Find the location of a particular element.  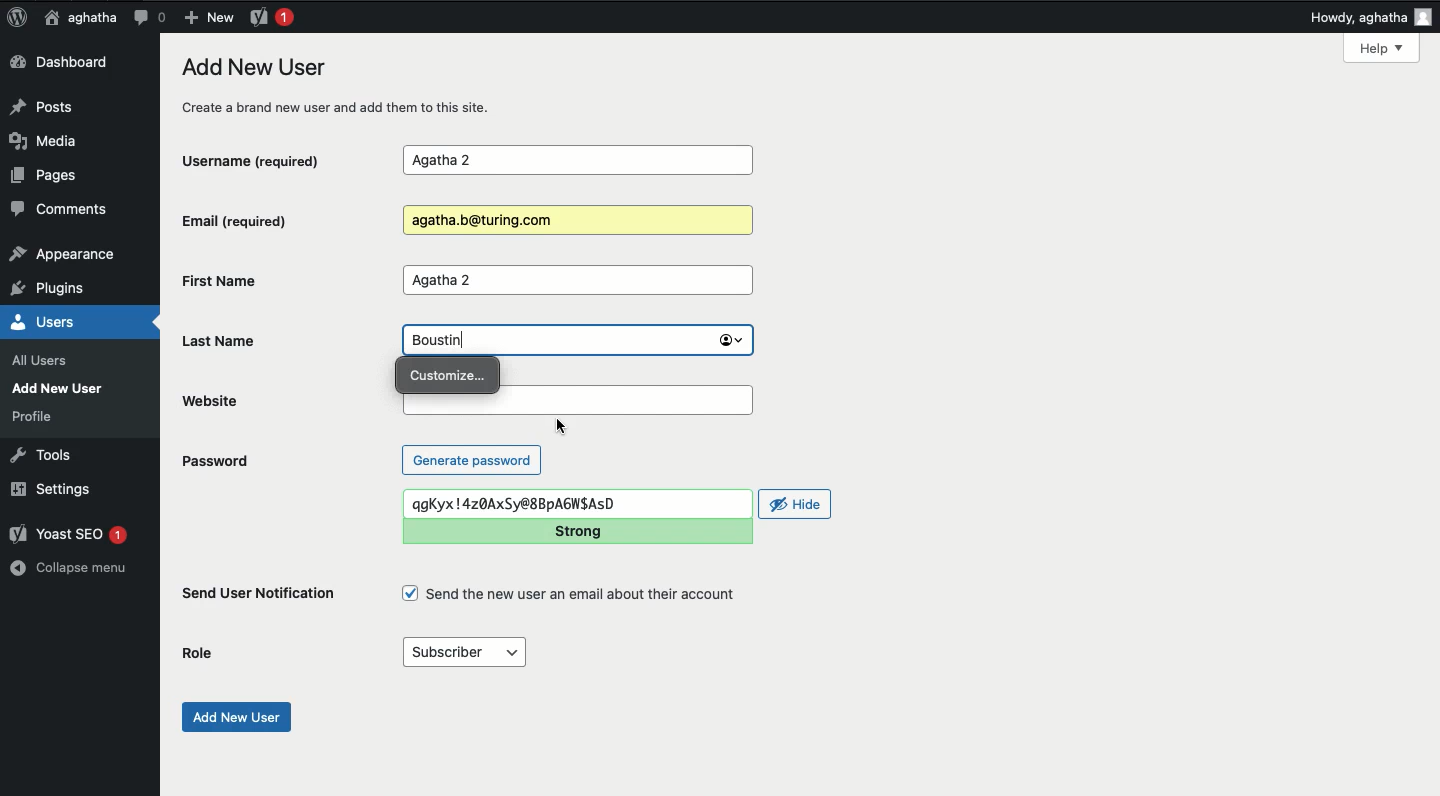

Send the new user an email about their account is located at coordinates (572, 594).